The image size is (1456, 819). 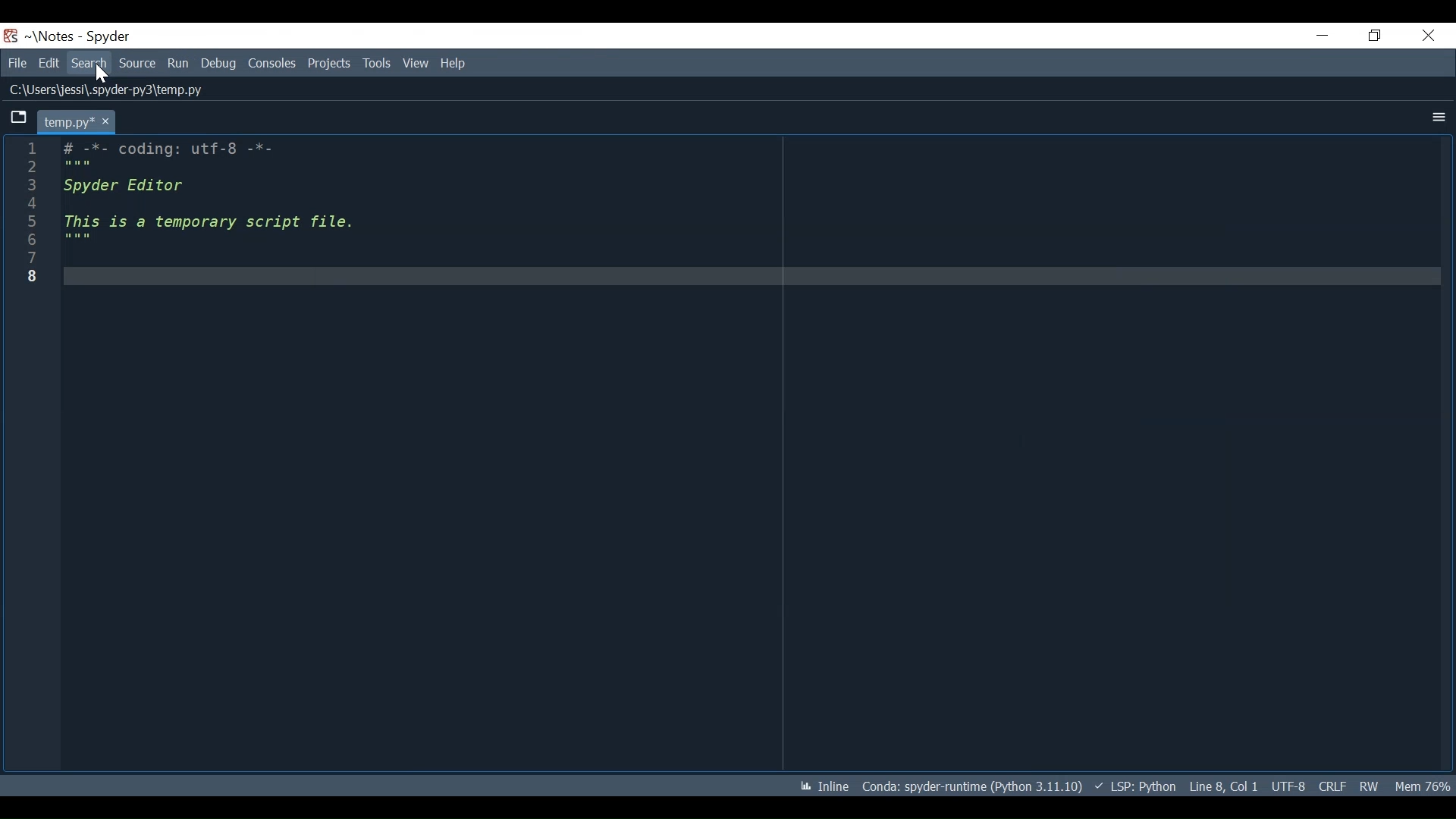 I want to click on File, so click(x=14, y=62).